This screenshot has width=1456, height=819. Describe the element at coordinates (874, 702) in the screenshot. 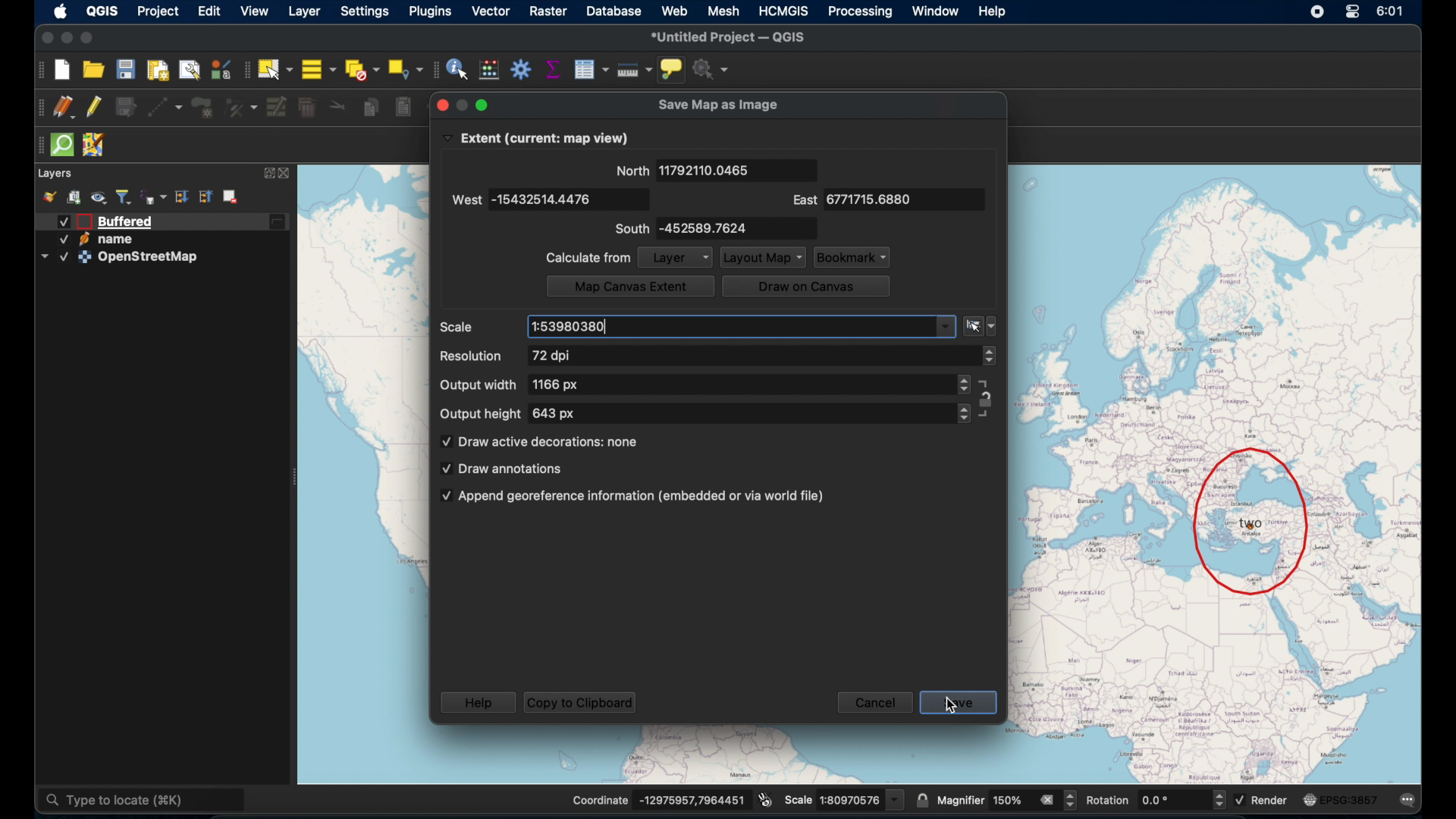

I see `cancel` at that location.